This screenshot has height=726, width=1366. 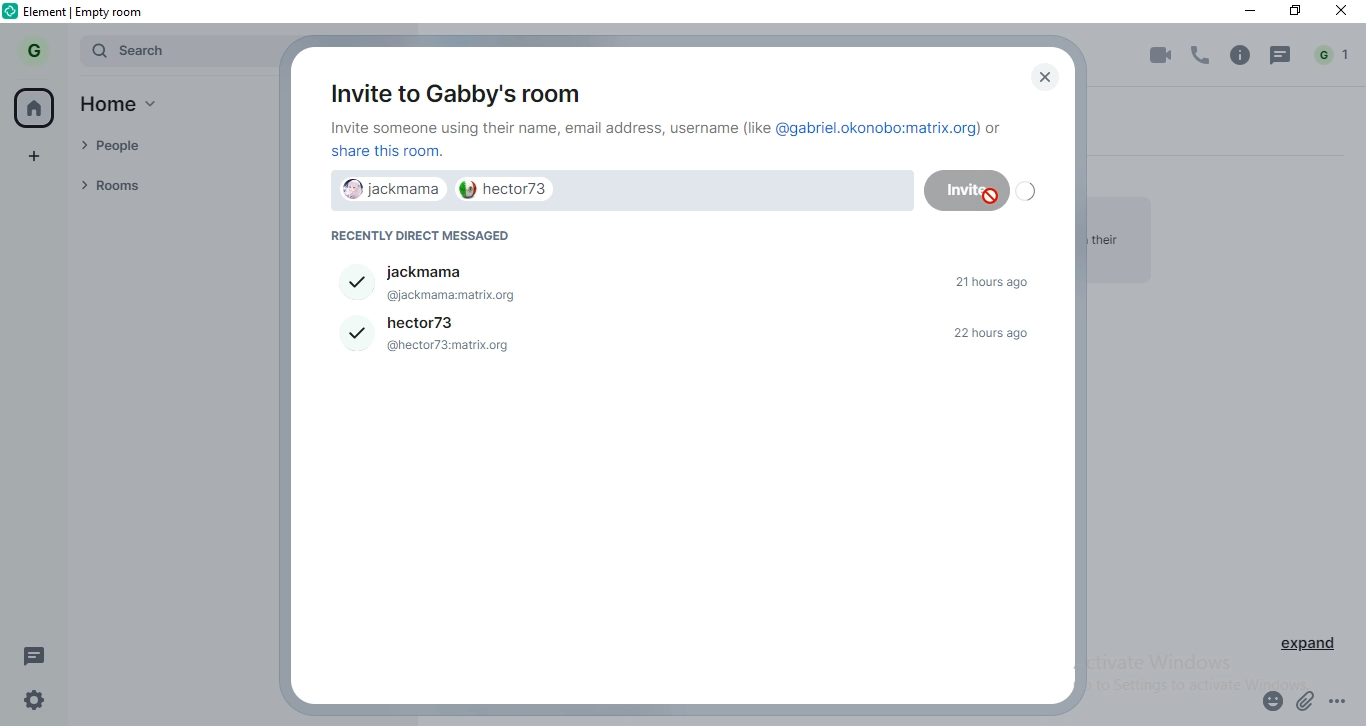 I want to click on minimise, so click(x=1243, y=11).